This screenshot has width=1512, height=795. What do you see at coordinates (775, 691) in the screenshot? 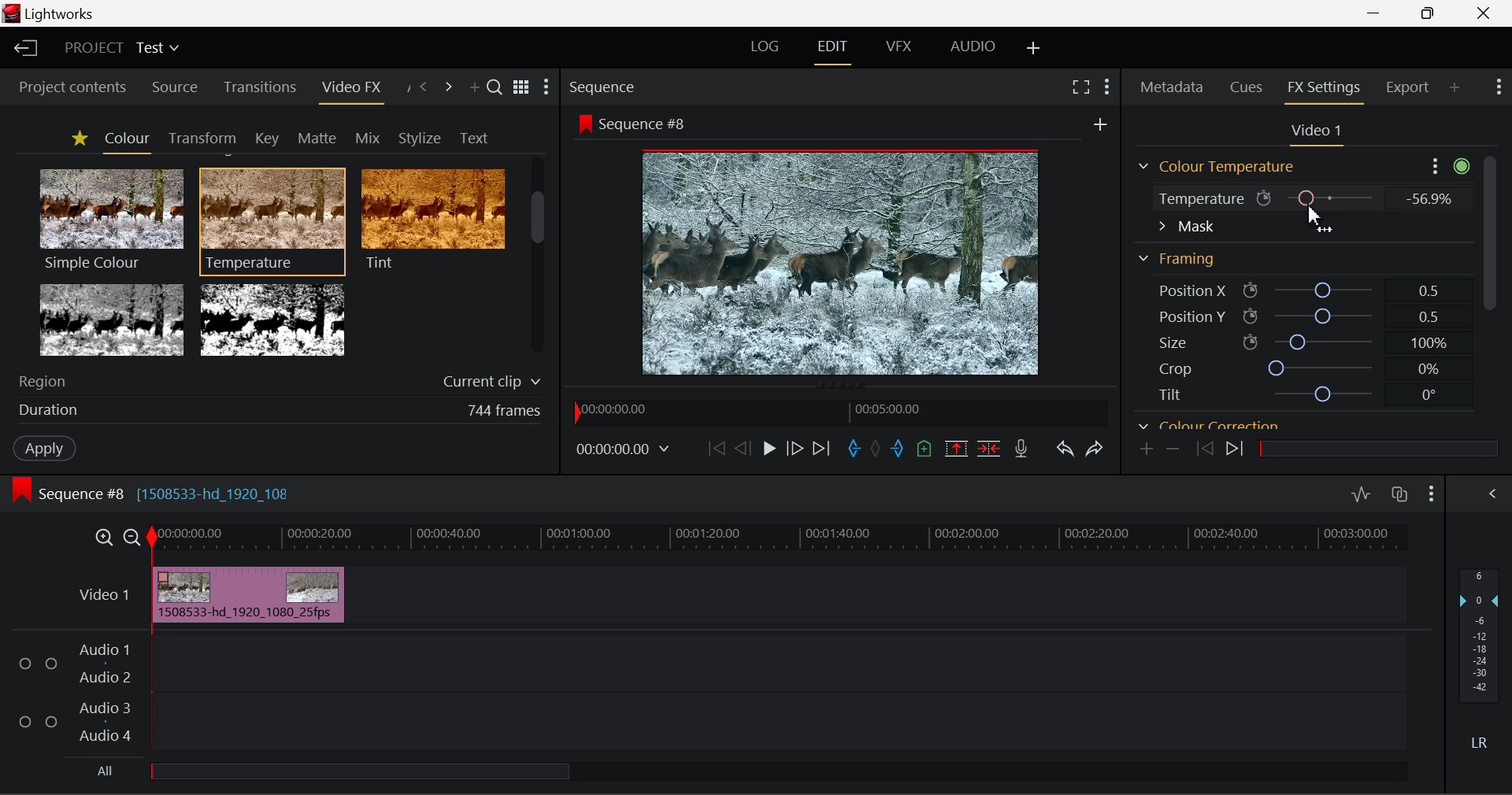
I see `Audio Input Field` at bounding box center [775, 691].